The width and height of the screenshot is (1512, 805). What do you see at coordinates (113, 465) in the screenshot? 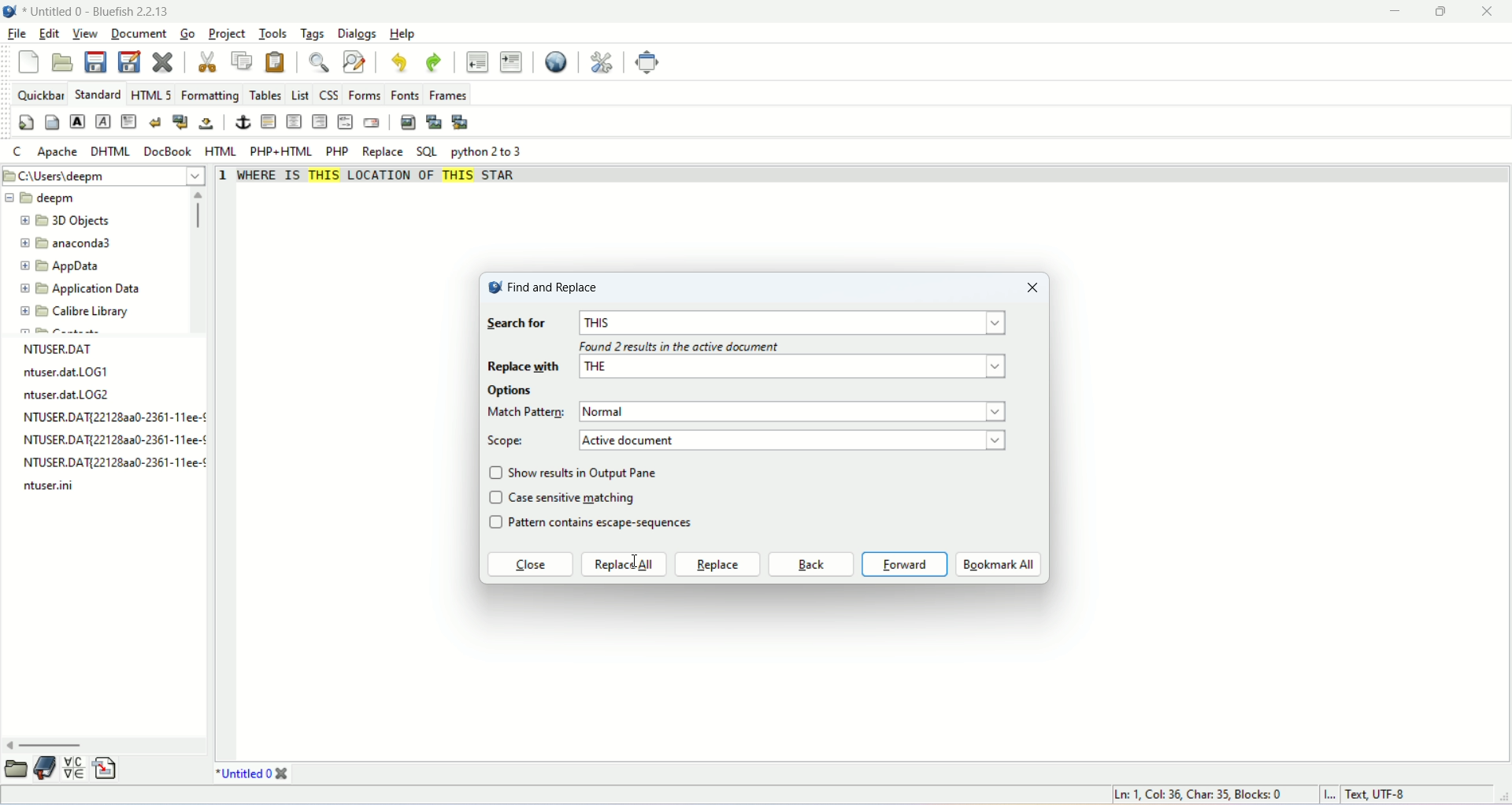
I see `file name` at bounding box center [113, 465].